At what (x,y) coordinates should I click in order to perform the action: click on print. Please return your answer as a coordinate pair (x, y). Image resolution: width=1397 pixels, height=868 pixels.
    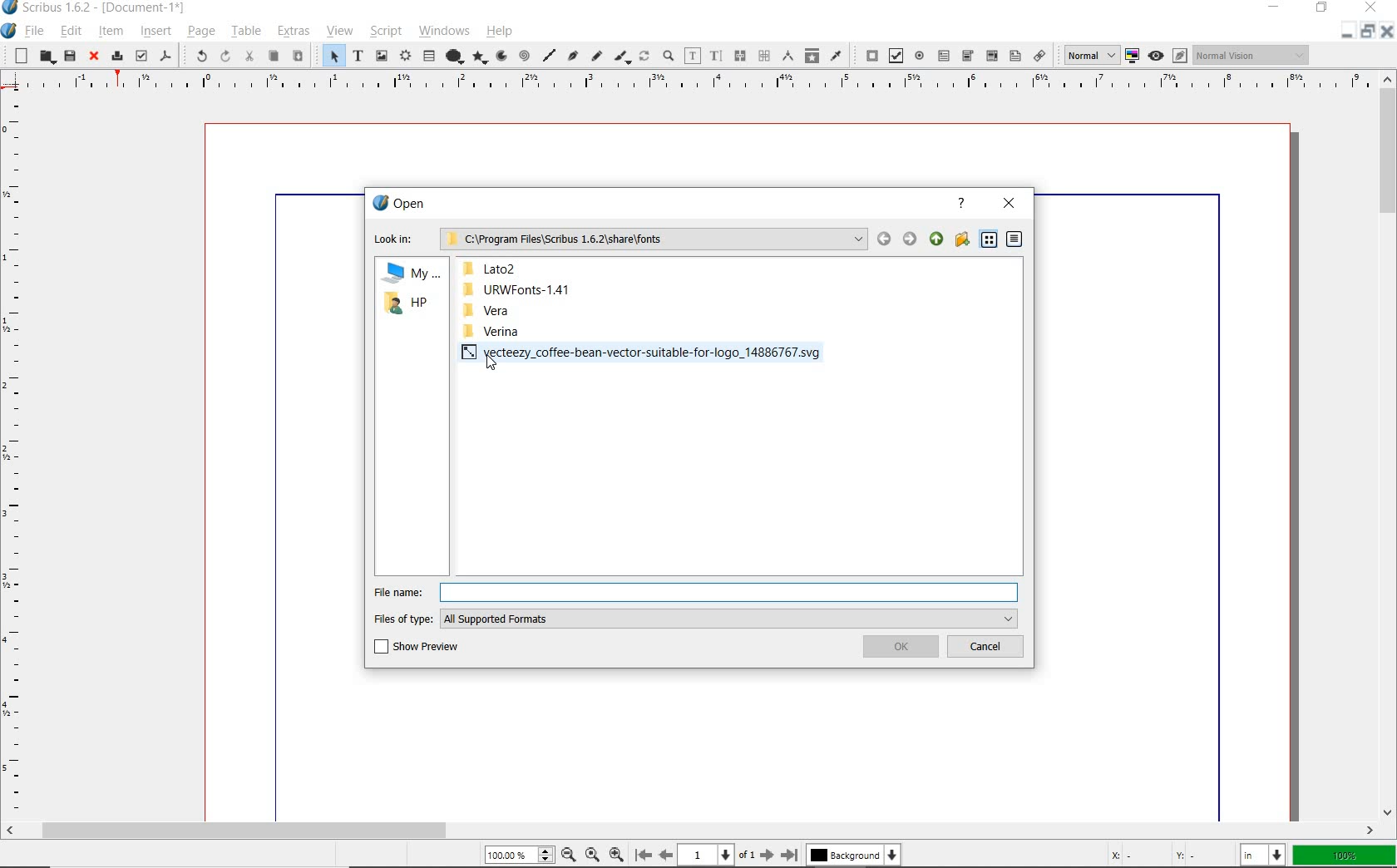
    Looking at the image, I should click on (116, 57).